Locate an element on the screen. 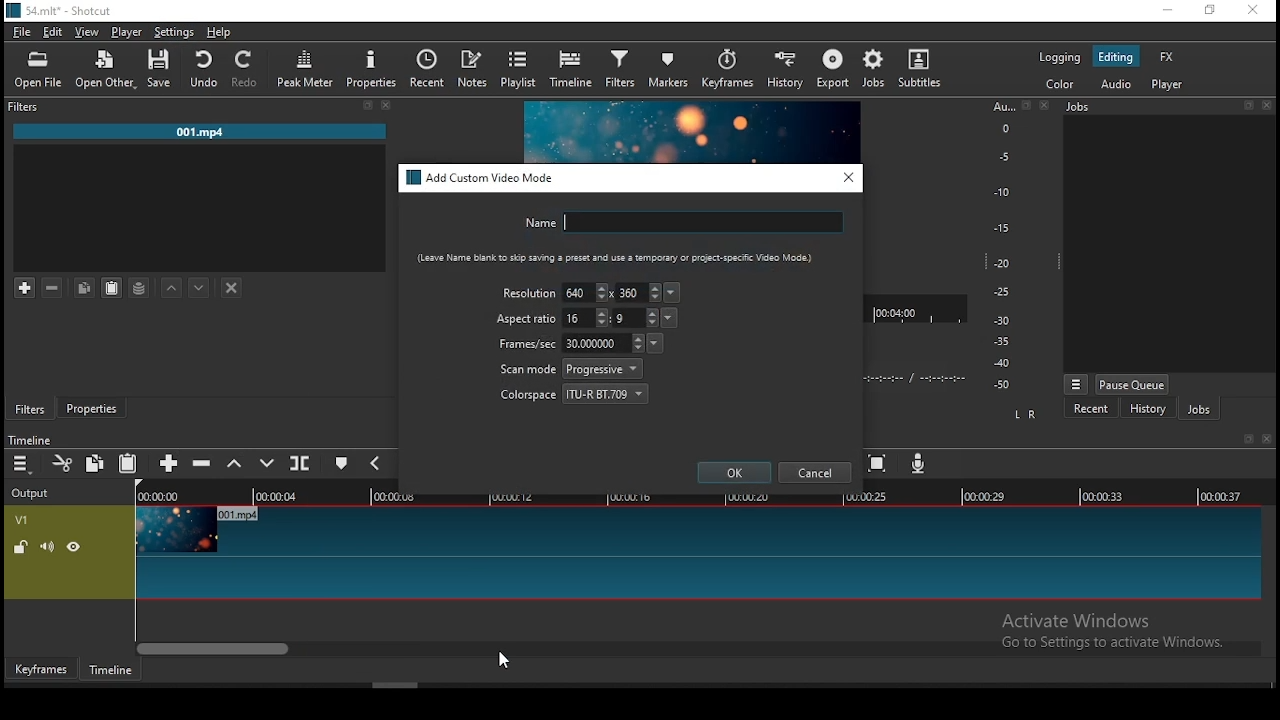 Image resolution: width=1280 pixels, height=720 pixels. peak meter is located at coordinates (305, 69).